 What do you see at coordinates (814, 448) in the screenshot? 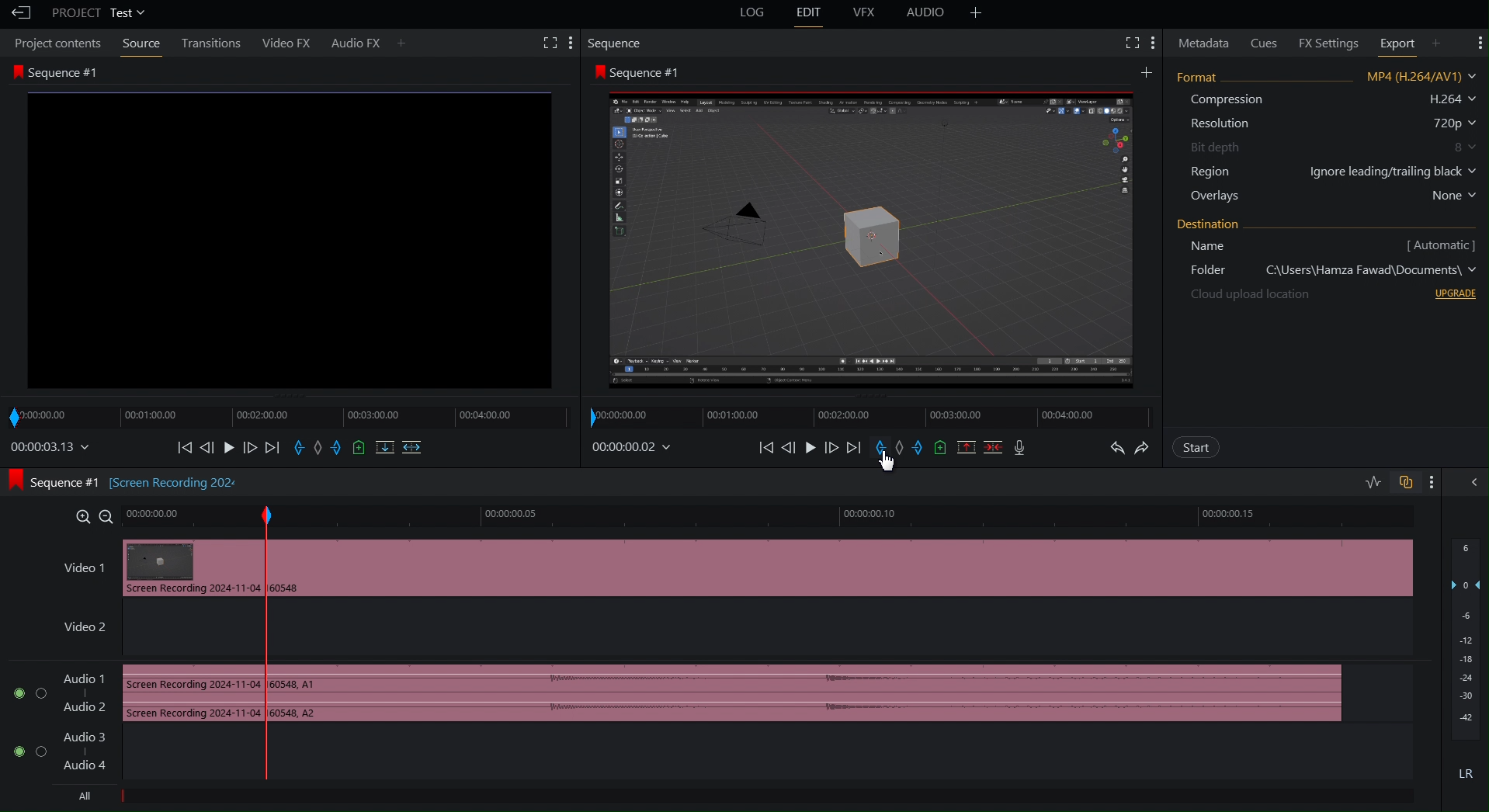
I see `Play` at bounding box center [814, 448].